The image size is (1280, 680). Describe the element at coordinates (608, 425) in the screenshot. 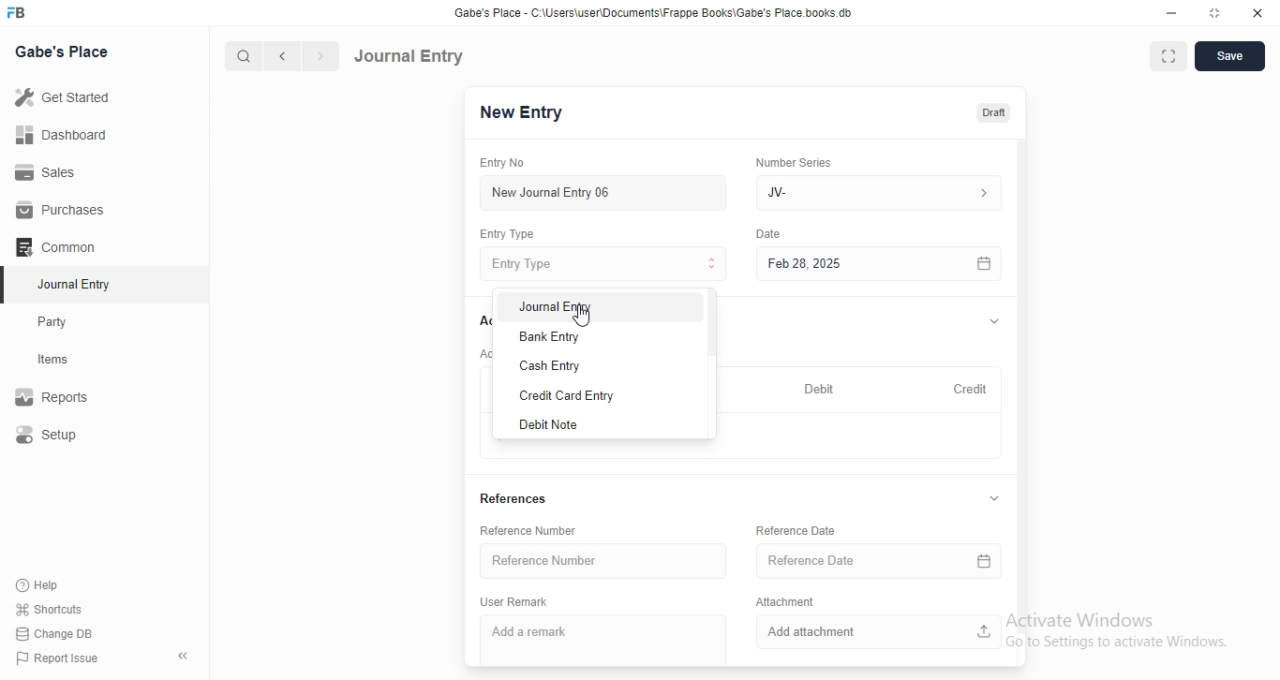

I see `Debit Note.` at that location.